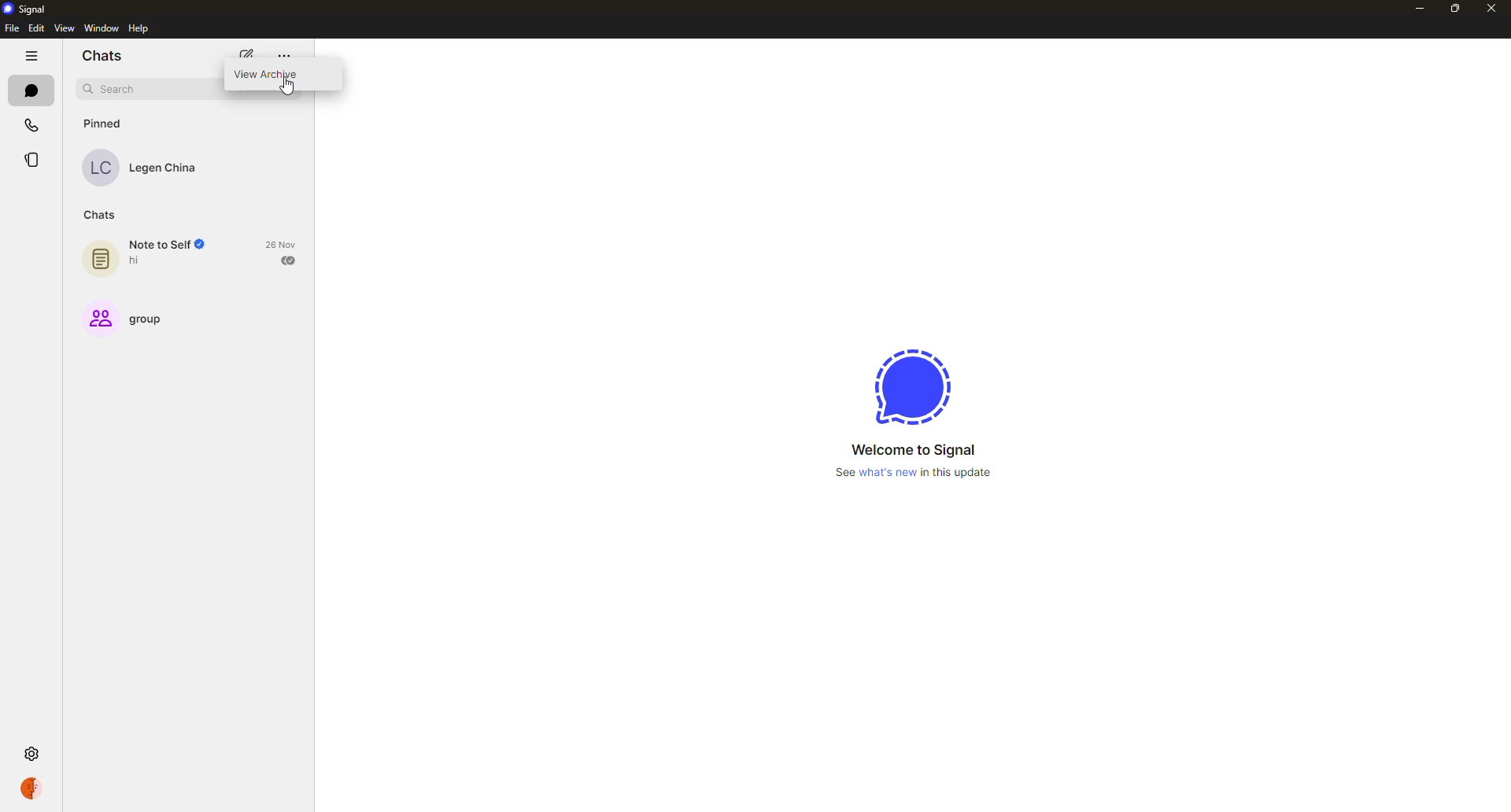 This screenshot has height=812, width=1511. What do you see at coordinates (141, 28) in the screenshot?
I see `help` at bounding box center [141, 28].